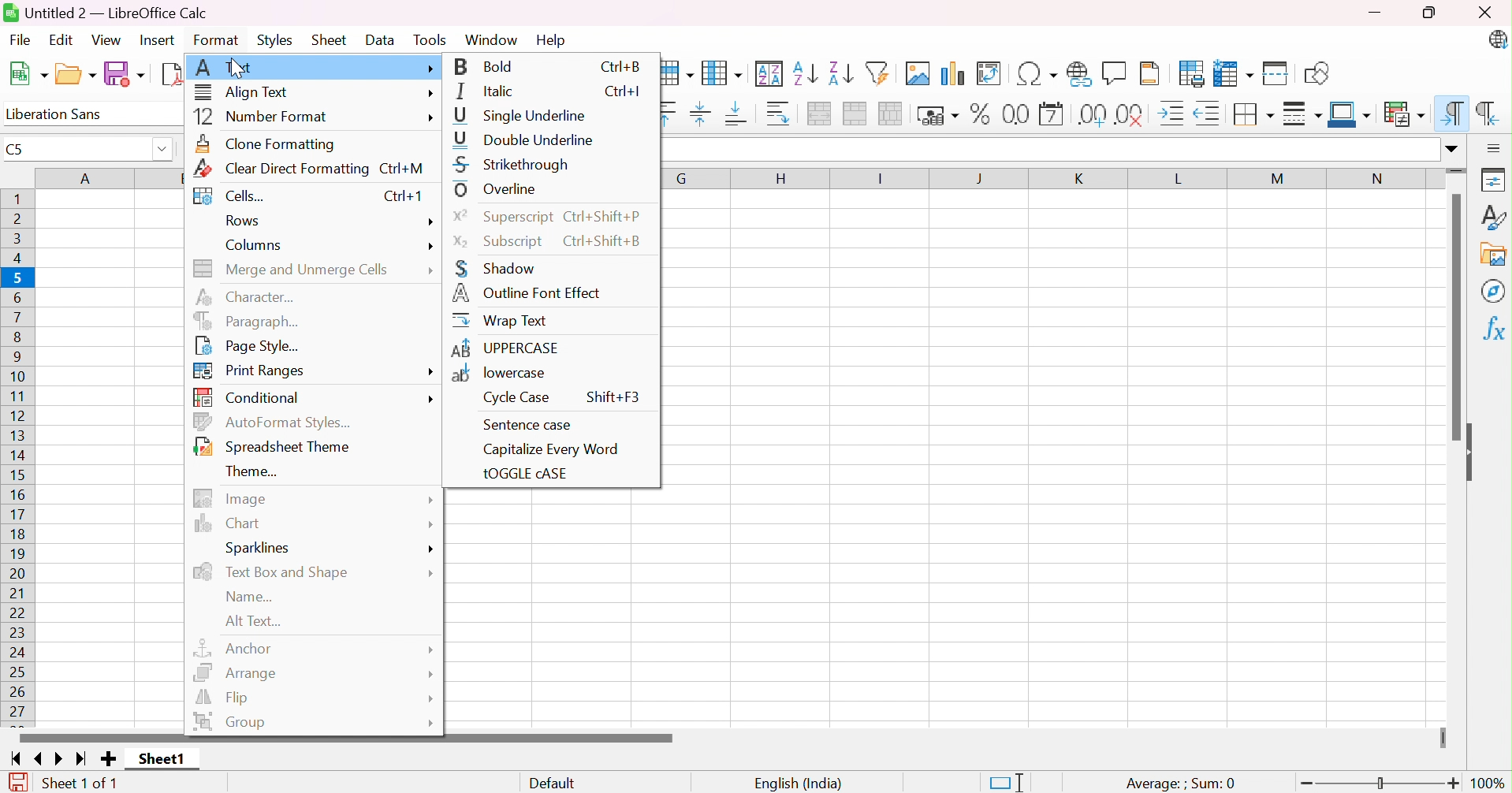  Describe the element at coordinates (27, 74) in the screenshot. I see `New` at that location.